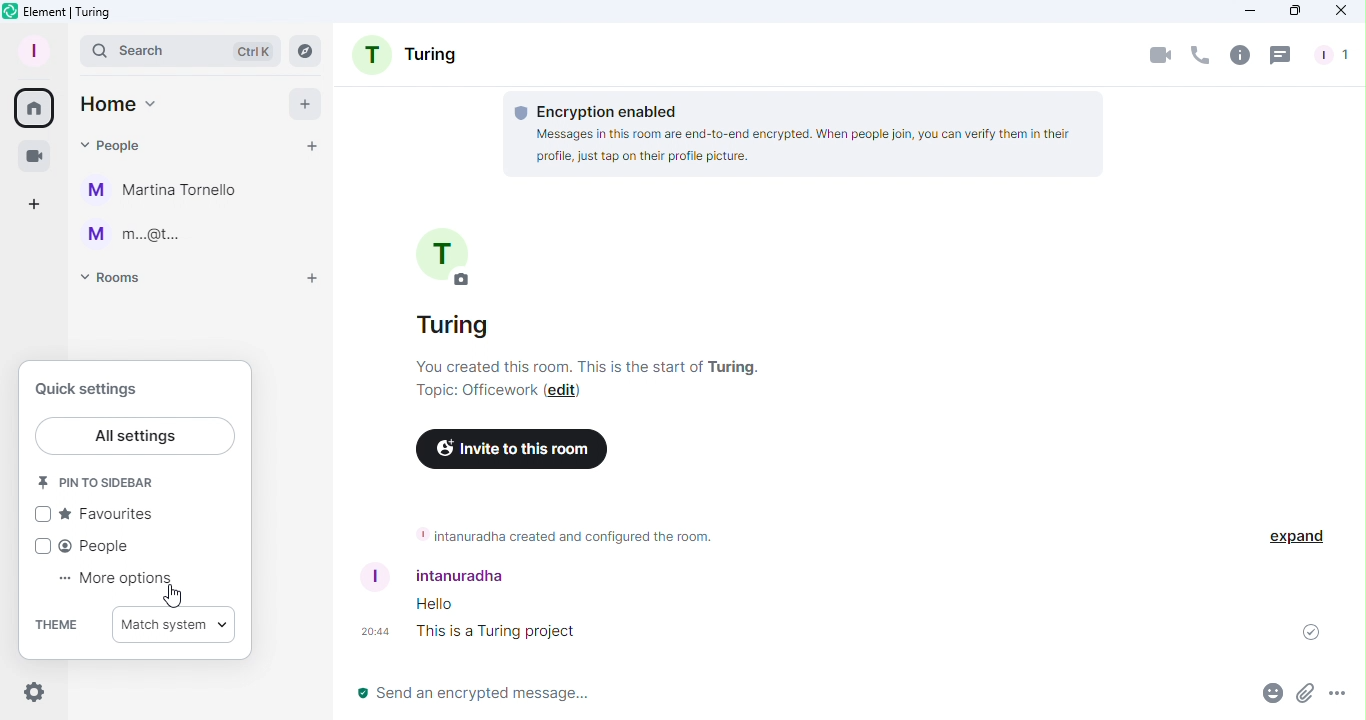  Describe the element at coordinates (312, 146) in the screenshot. I see `Start chat` at that location.